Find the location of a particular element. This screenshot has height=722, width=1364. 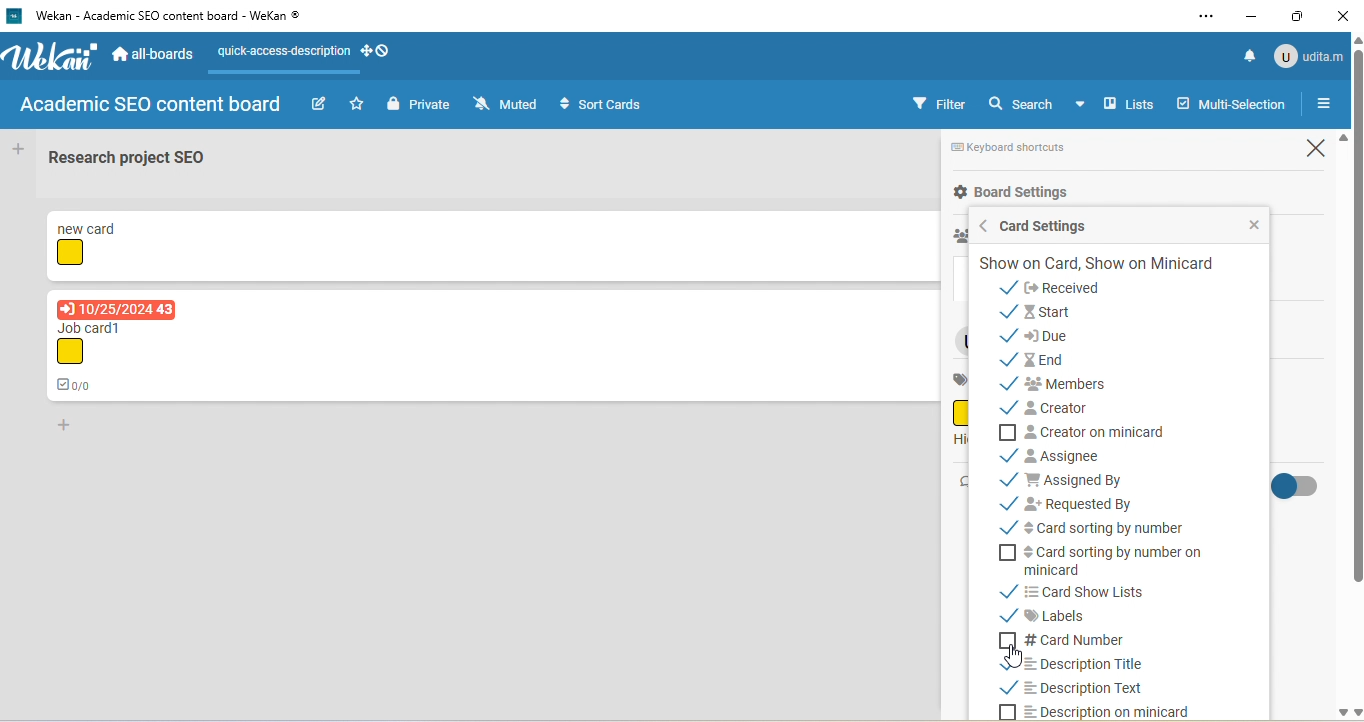

add card to bottom  is located at coordinates (72, 428).